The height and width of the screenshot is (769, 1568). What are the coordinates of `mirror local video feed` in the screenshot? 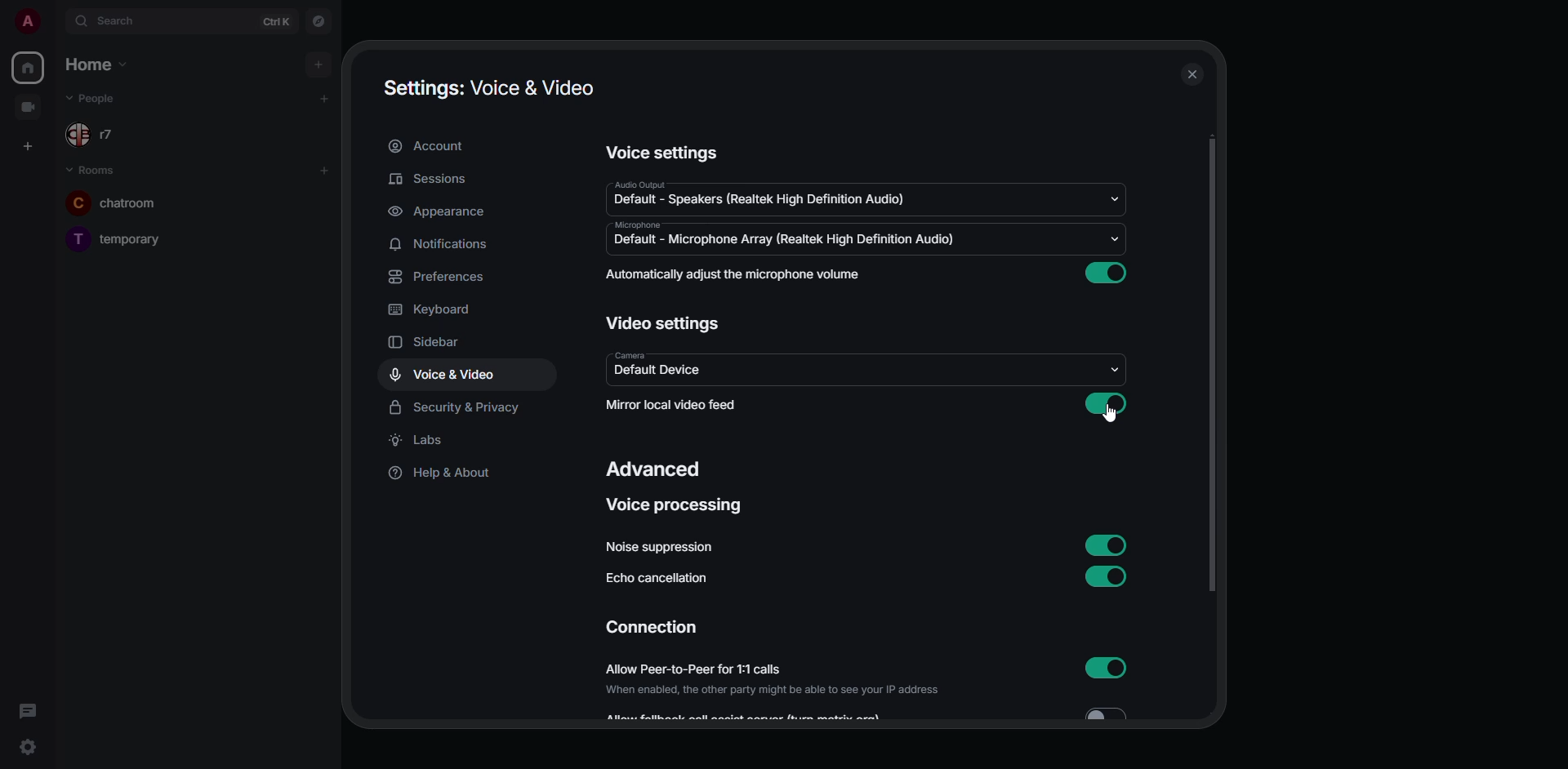 It's located at (676, 406).